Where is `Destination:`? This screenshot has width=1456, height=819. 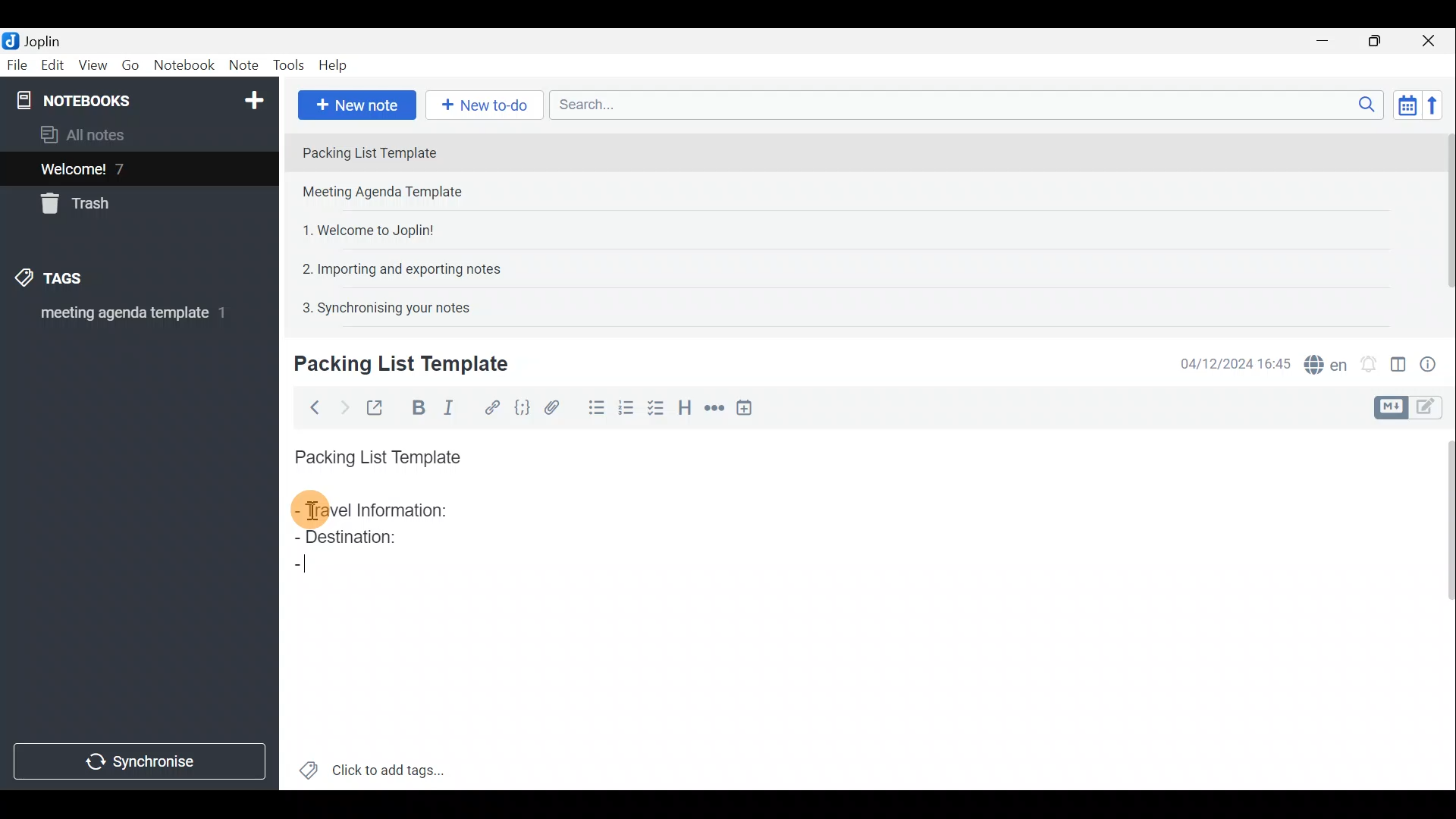
Destination: is located at coordinates (356, 540).